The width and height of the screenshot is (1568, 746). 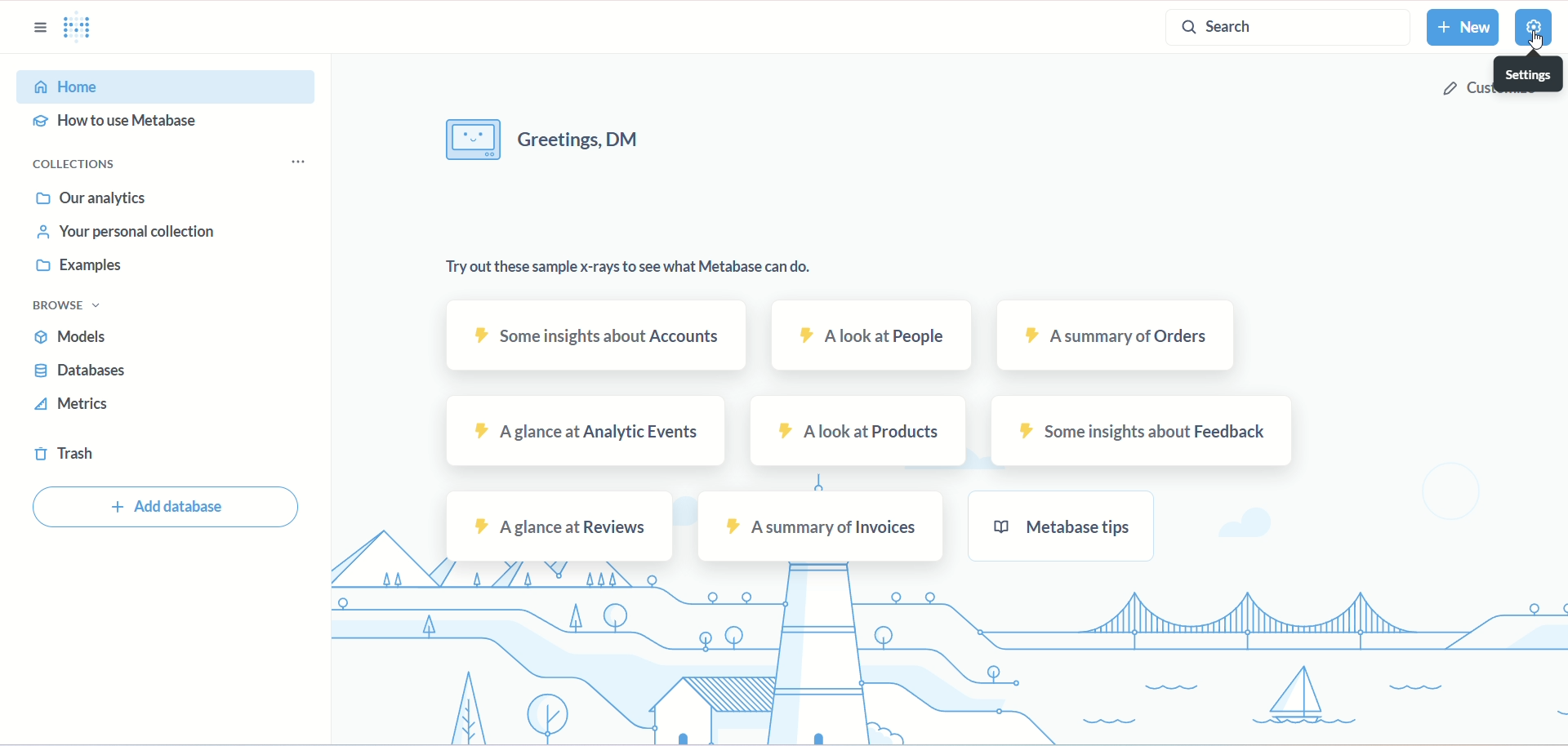 I want to click on models, so click(x=72, y=337).